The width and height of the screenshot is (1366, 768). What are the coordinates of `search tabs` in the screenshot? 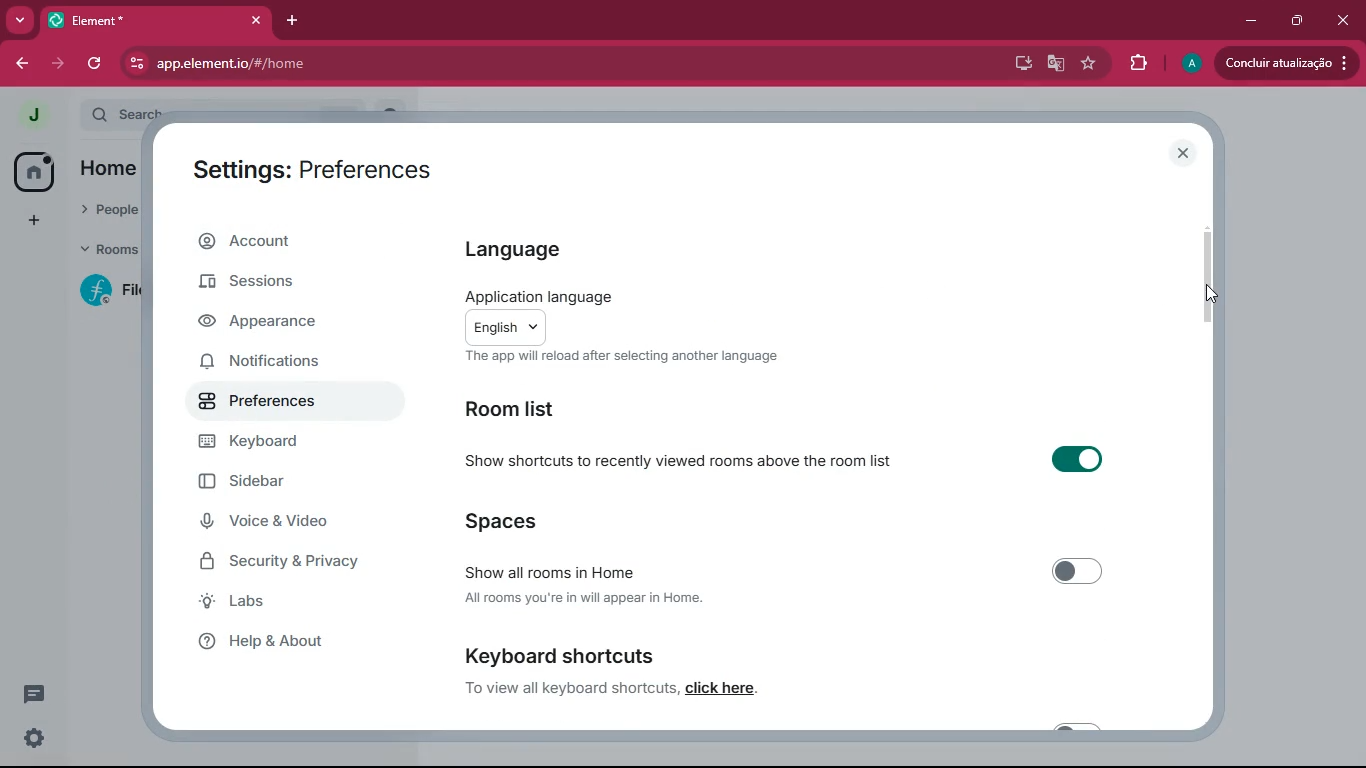 It's located at (21, 22).